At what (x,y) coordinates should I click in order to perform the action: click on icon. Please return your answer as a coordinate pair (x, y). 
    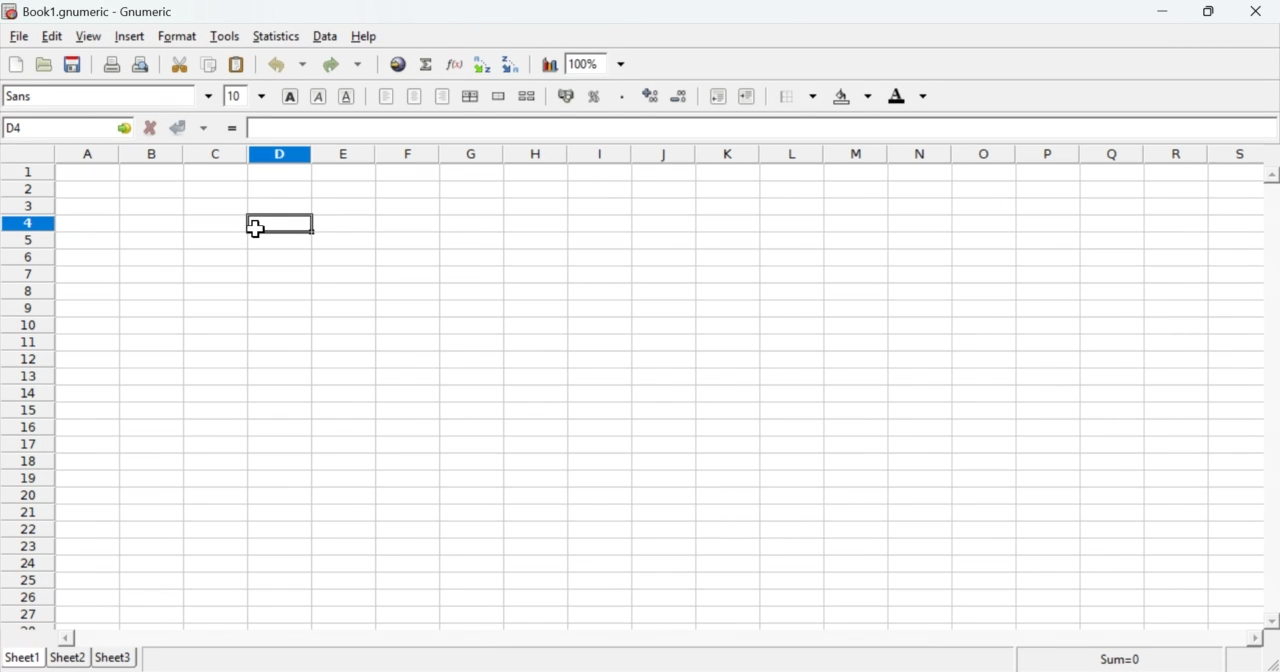
    Looking at the image, I should click on (10, 11).